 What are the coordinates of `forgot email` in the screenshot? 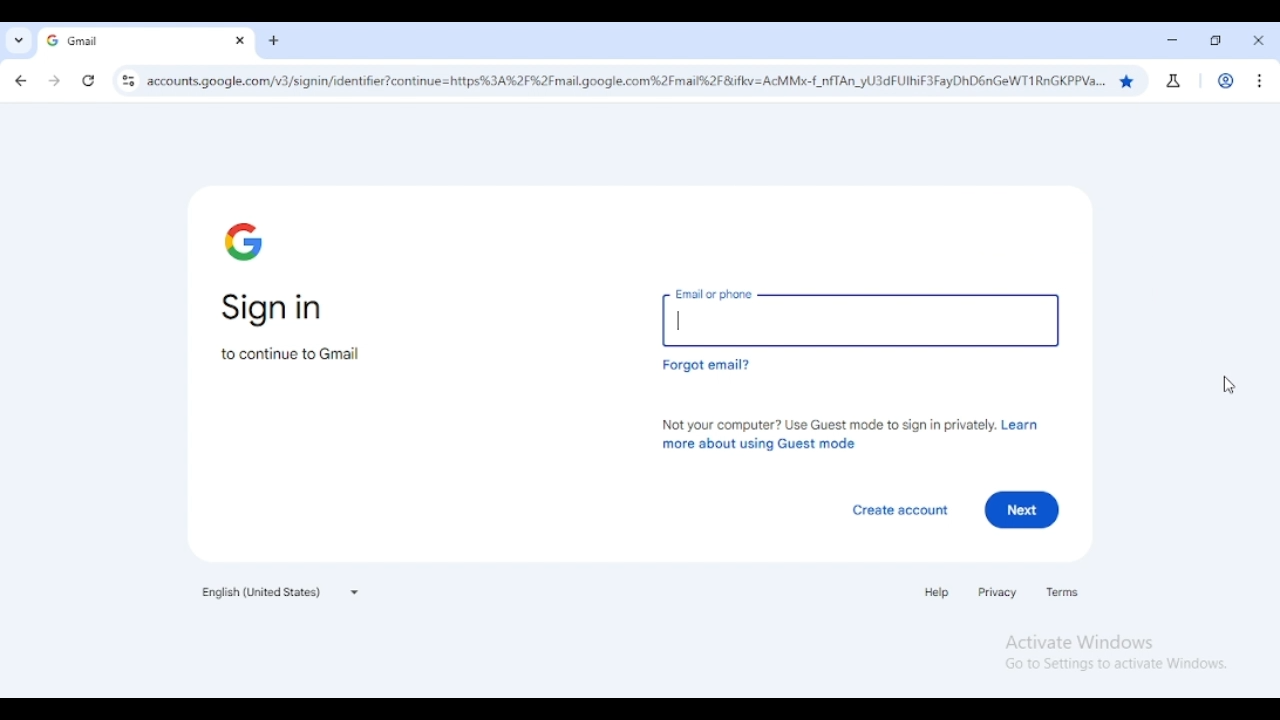 It's located at (705, 365).